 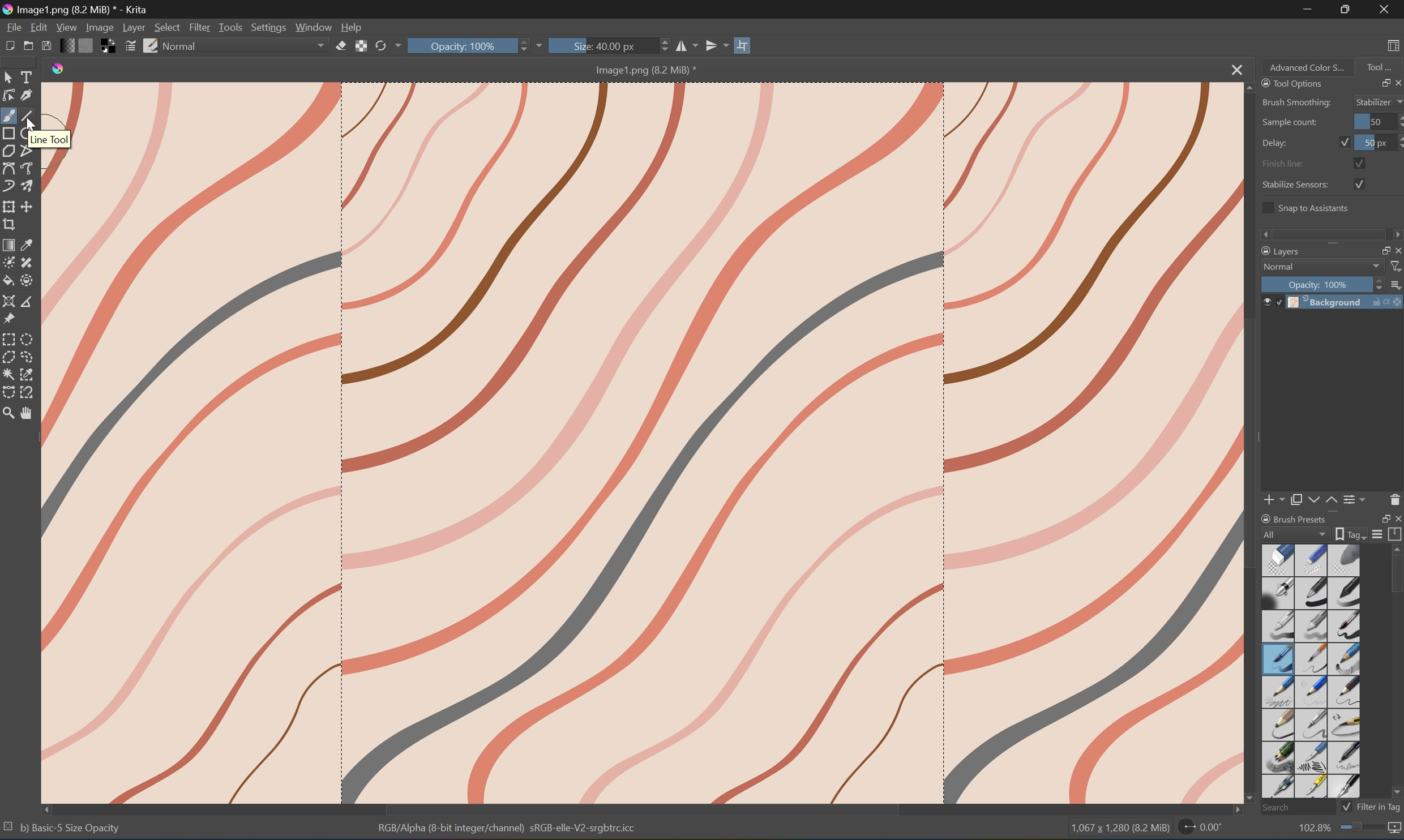 I want to click on 50 px, so click(x=1376, y=142).